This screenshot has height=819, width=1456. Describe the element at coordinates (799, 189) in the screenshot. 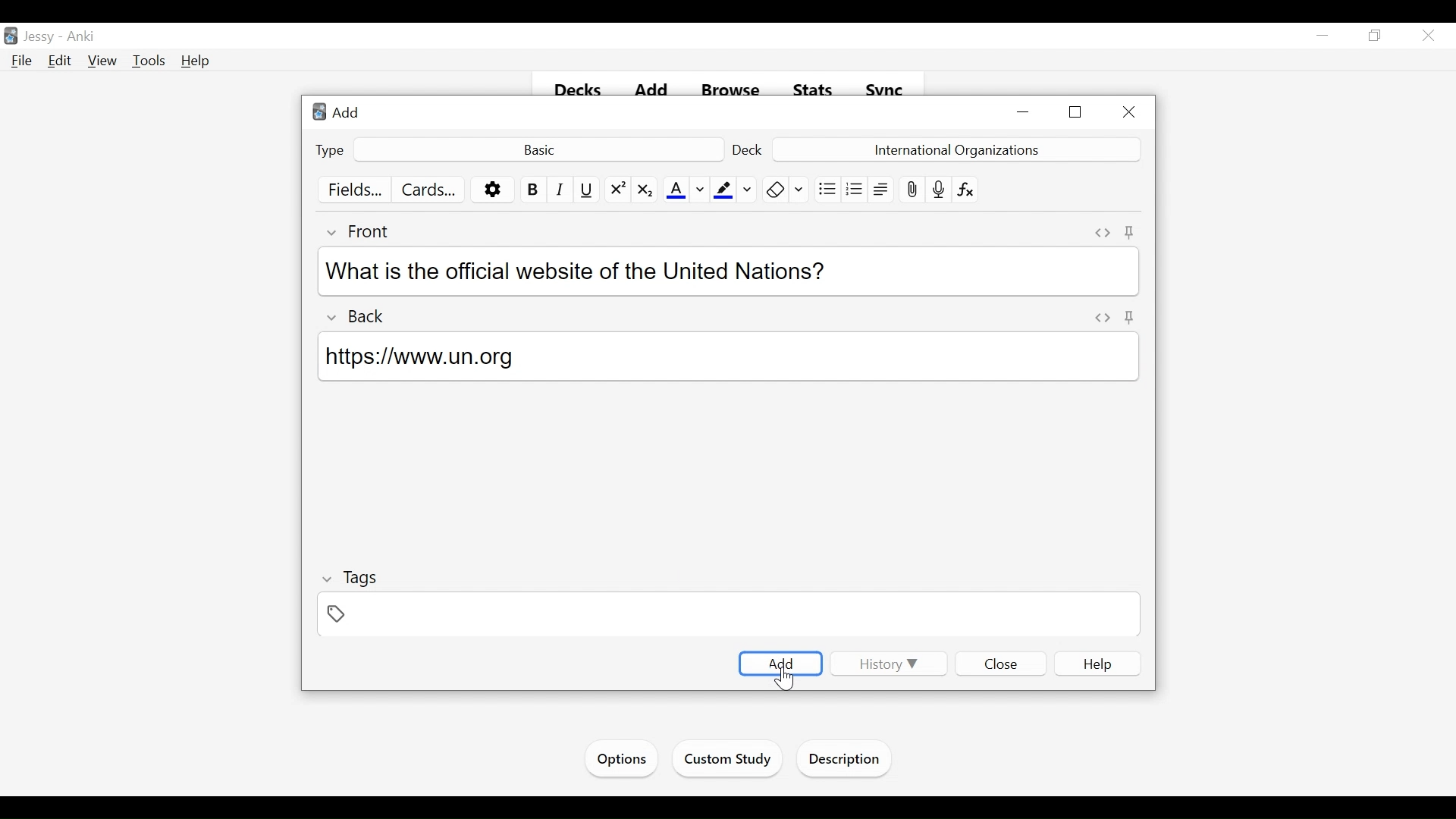

I see `Selecting Formatting to Remove` at that location.